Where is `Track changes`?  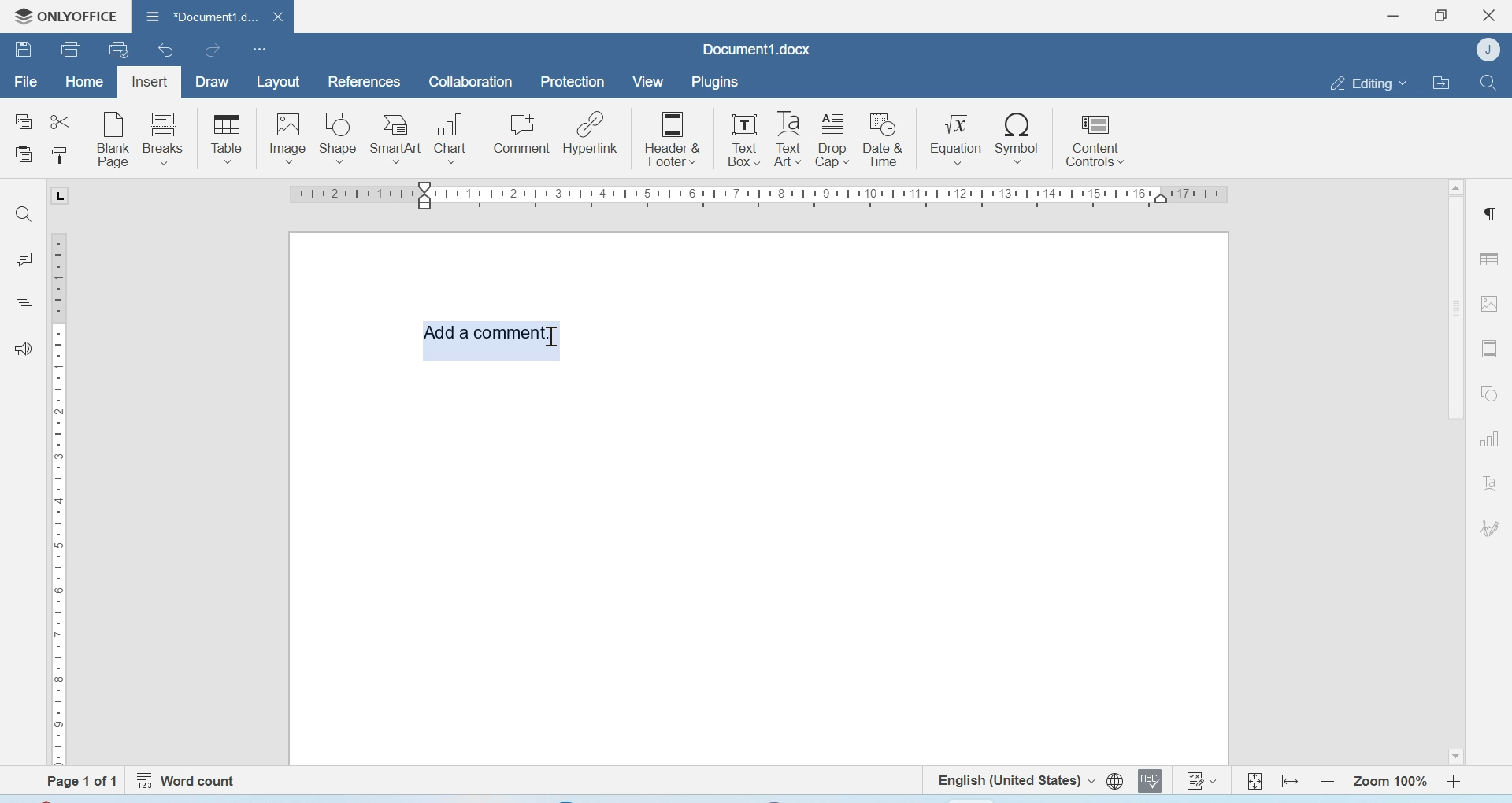 Track changes is located at coordinates (1200, 780).